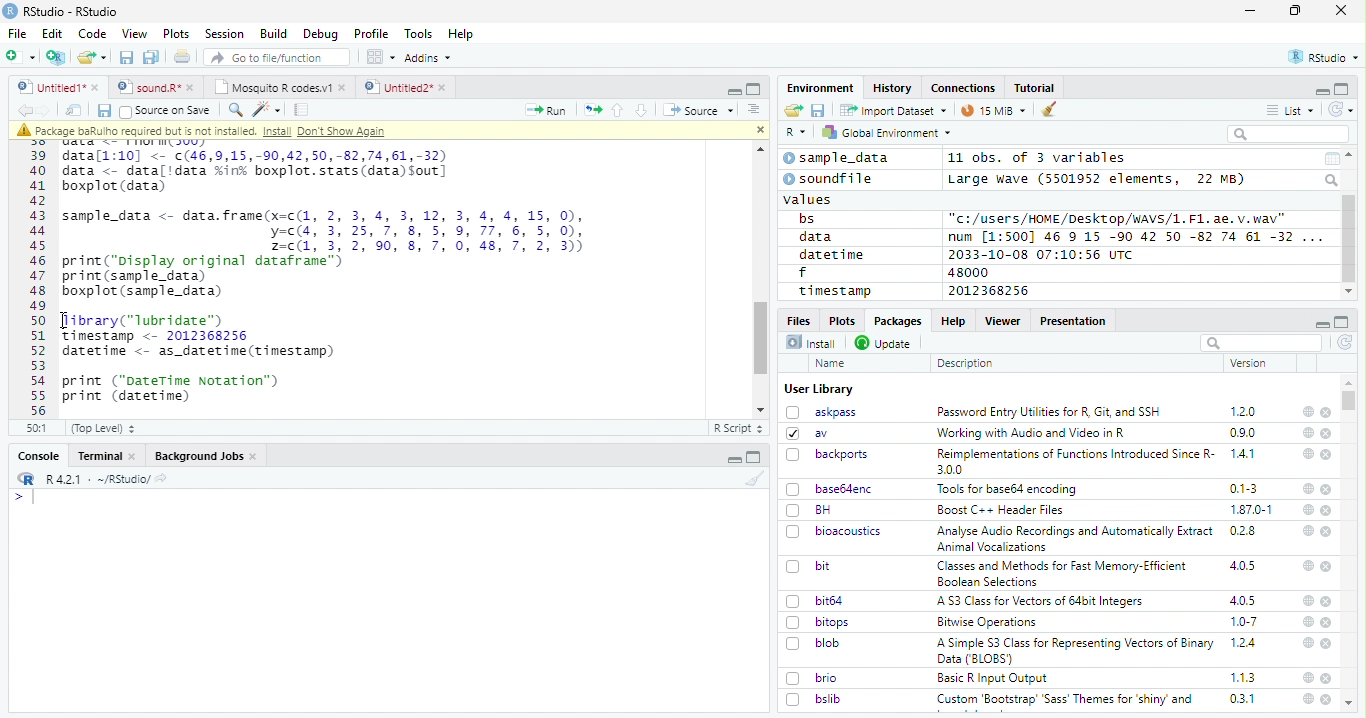 This screenshot has height=718, width=1366. I want to click on Code, so click(91, 34).